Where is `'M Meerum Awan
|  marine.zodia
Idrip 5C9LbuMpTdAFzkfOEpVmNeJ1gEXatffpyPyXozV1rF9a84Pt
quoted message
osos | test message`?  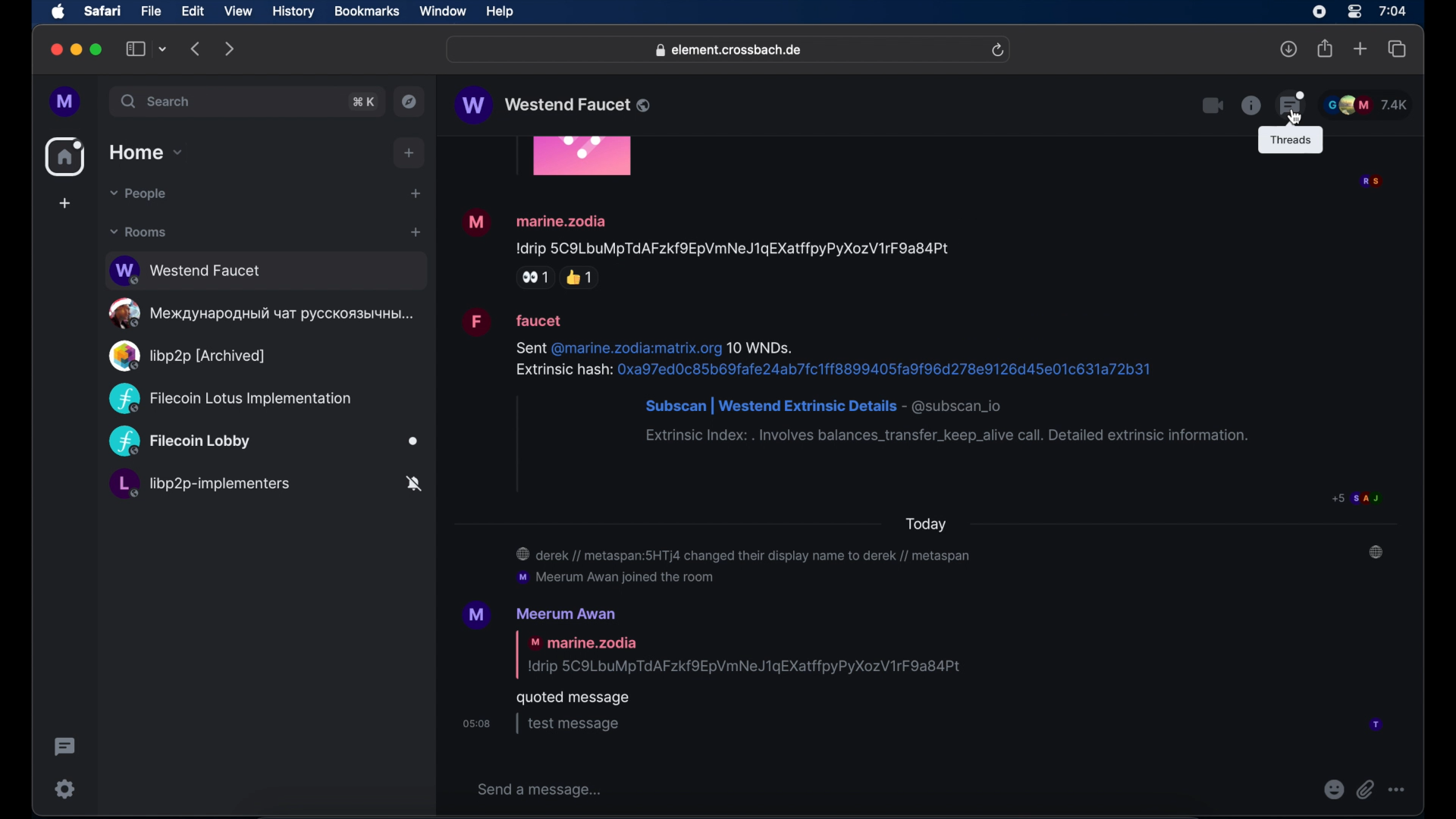 'M Meerum Awan
|  marine.zodia
Idrip 5C9LbuMpTdAFzkfOEpVmNeJ1gEXatffpyPyXozV1rF9a84Pt
quoted message
osos | test message is located at coordinates (725, 666).